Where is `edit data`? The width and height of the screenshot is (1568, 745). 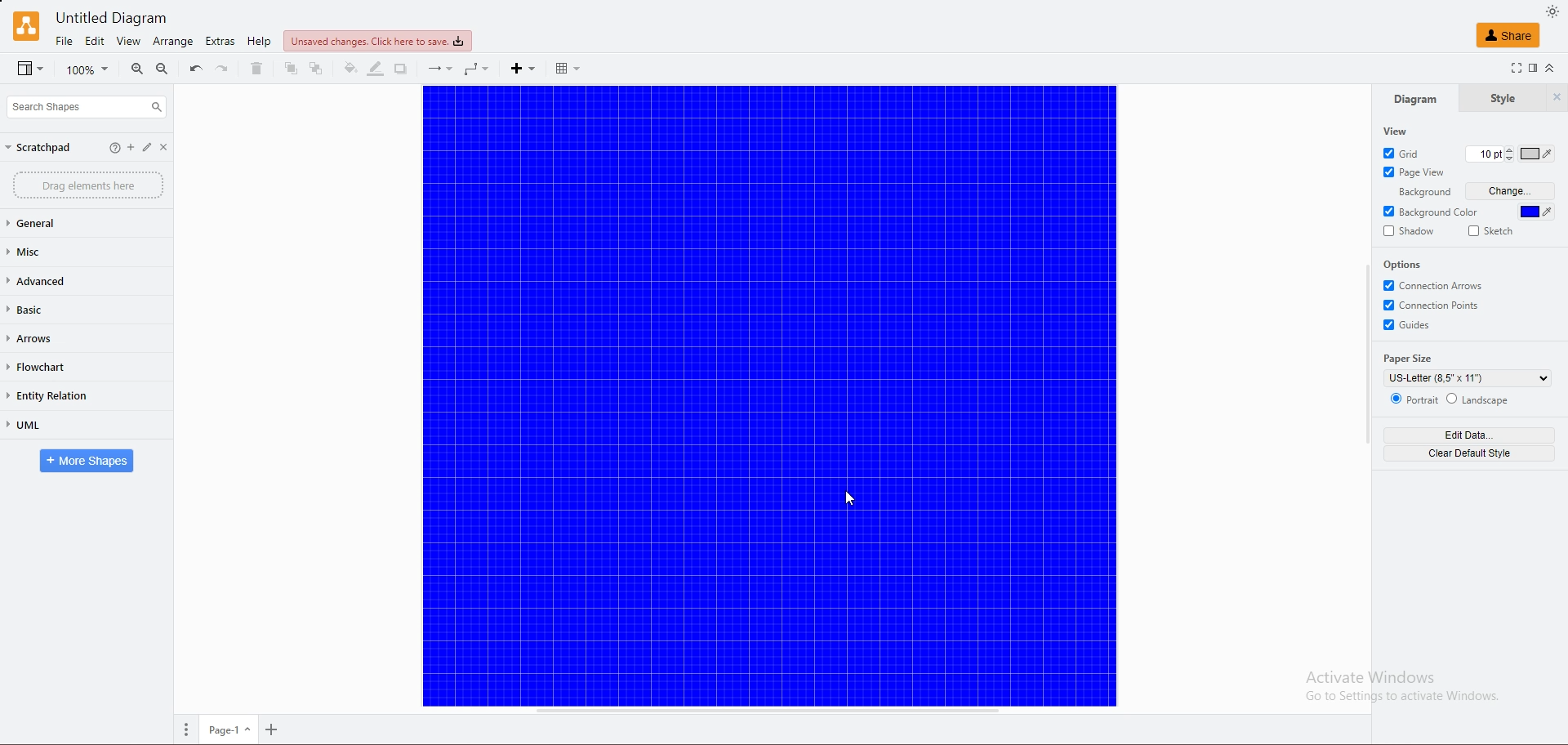
edit data is located at coordinates (1469, 435).